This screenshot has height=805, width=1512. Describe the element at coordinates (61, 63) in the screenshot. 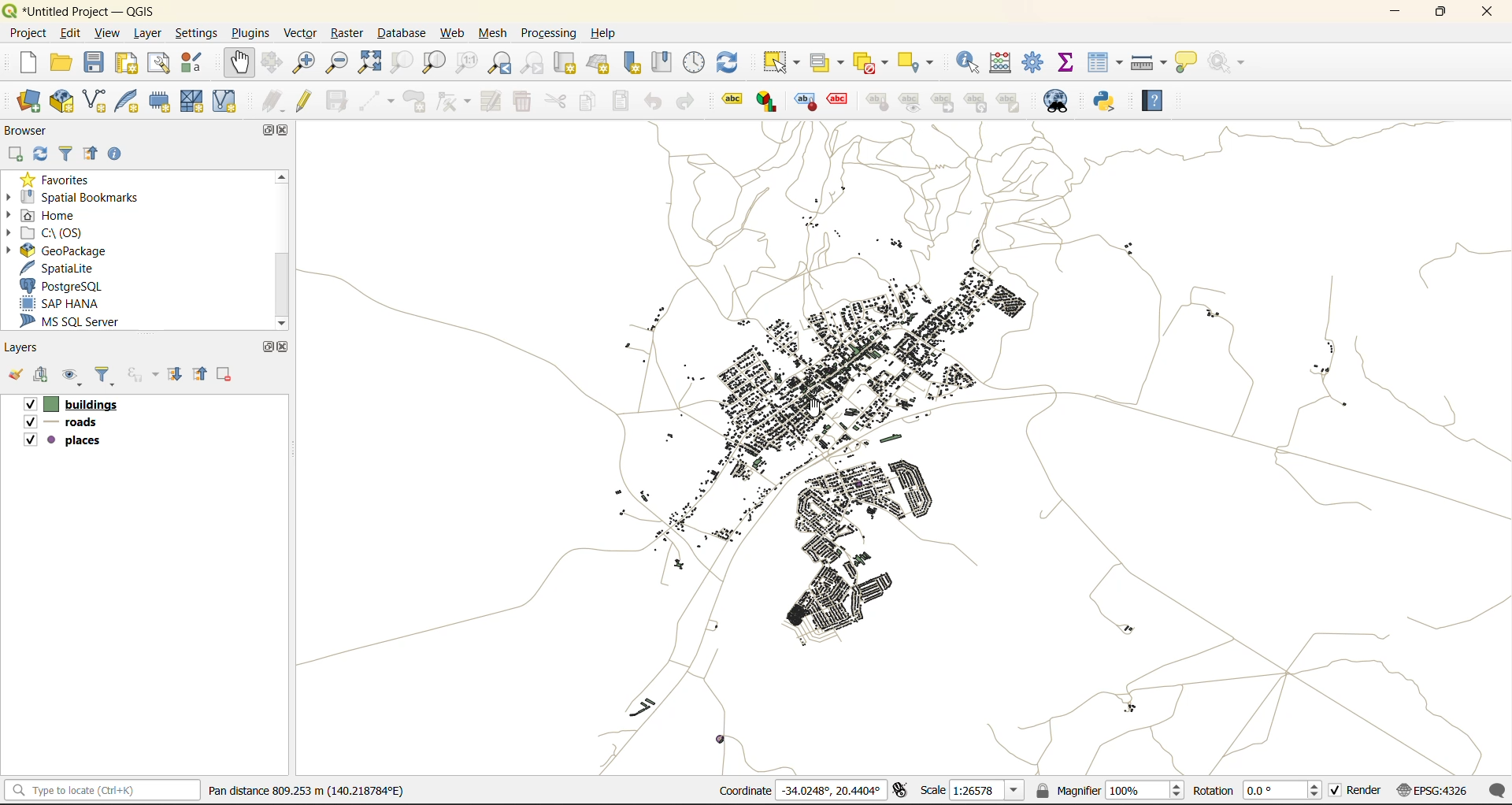

I see `open` at that location.